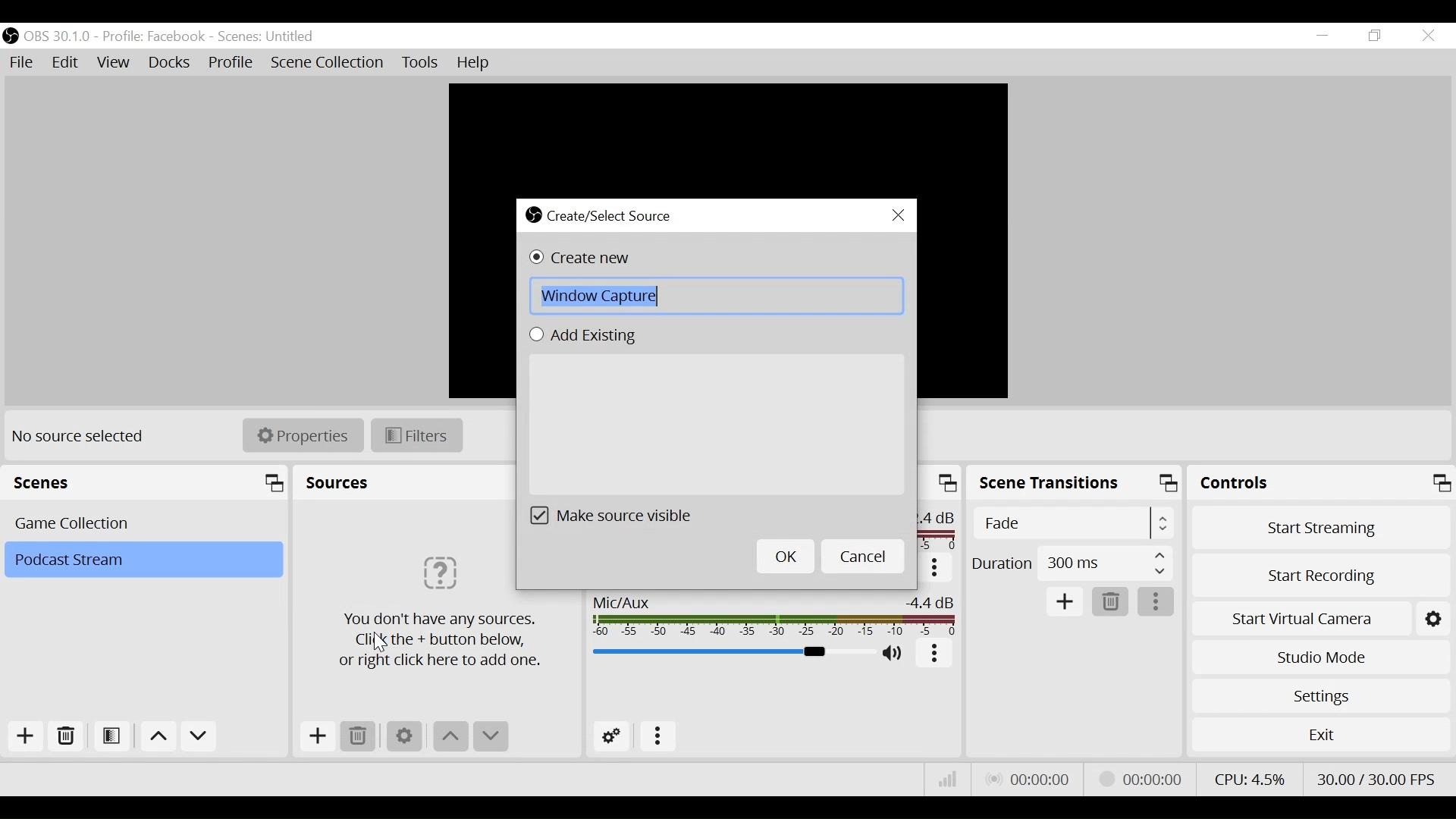 The image size is (1456, 819). Describe the element at coordinates (899, 215) in the screenshot. I see `Close` at that location.